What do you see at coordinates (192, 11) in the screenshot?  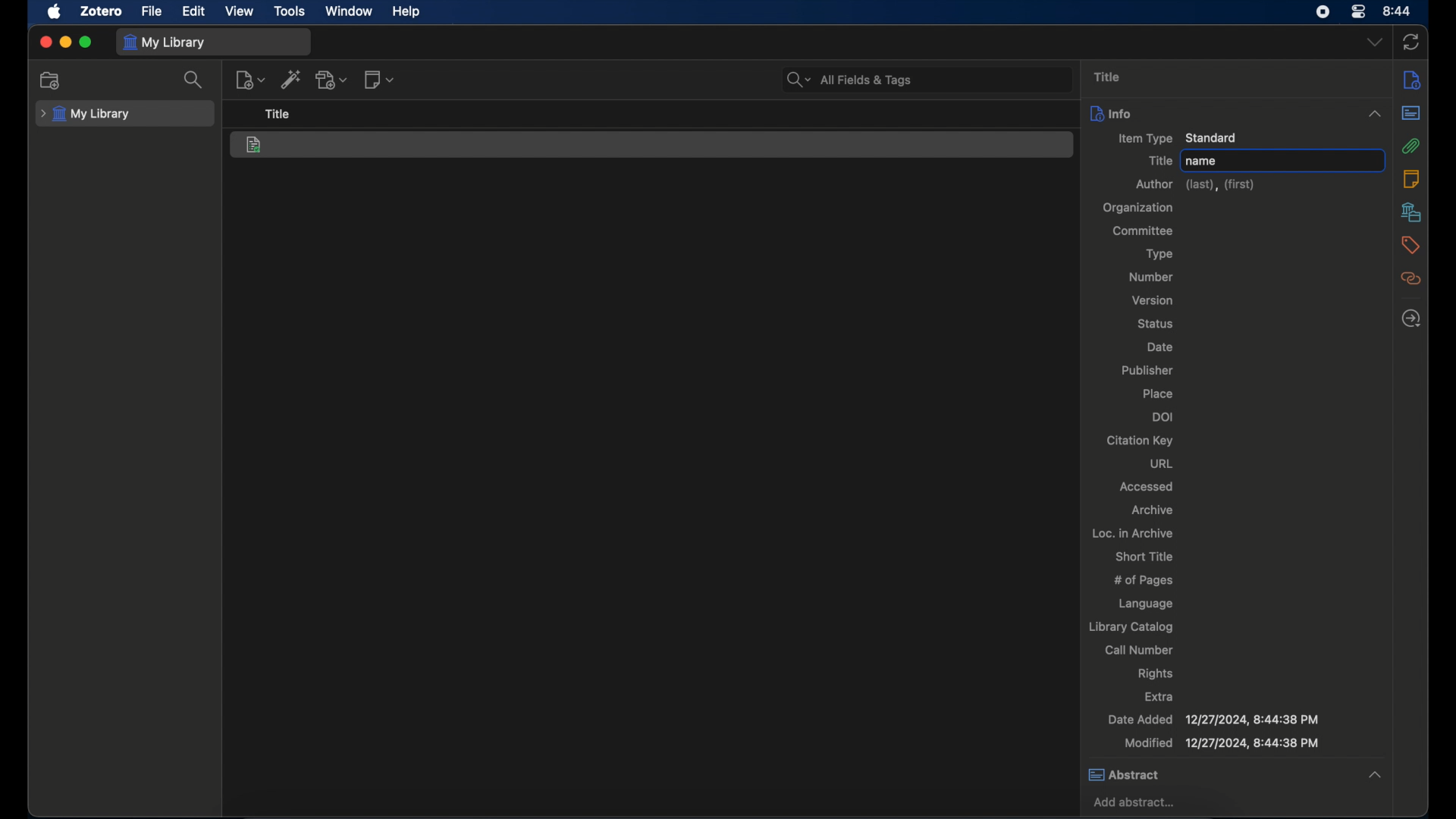 I see `edit` at bounding box center [192, 11].